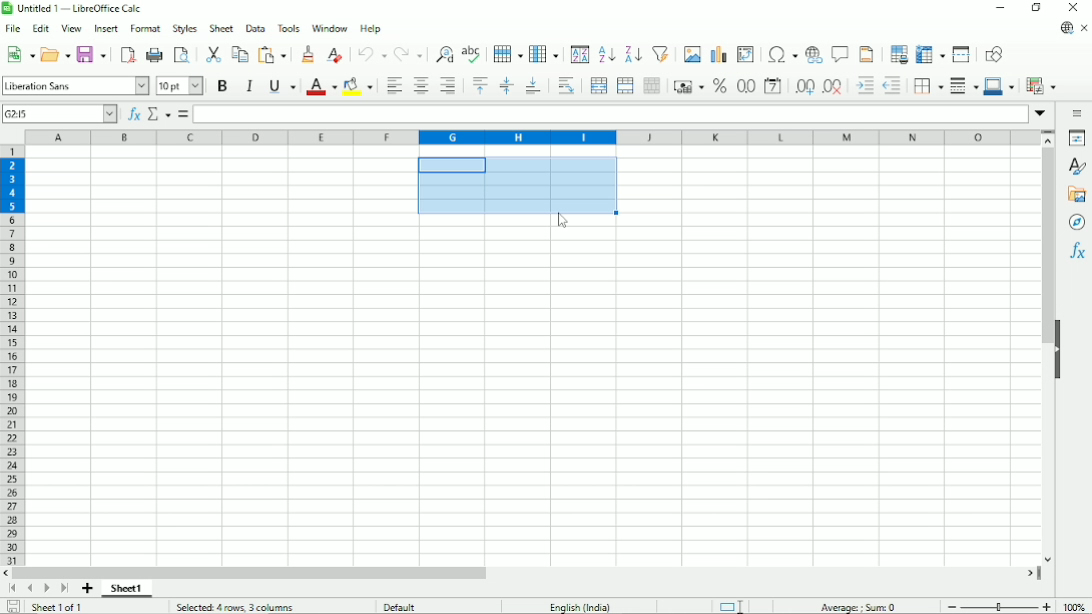 Image resolution: width=1092 pixels, height=614 pixels. I want to click on Font size, so click(179, 86).